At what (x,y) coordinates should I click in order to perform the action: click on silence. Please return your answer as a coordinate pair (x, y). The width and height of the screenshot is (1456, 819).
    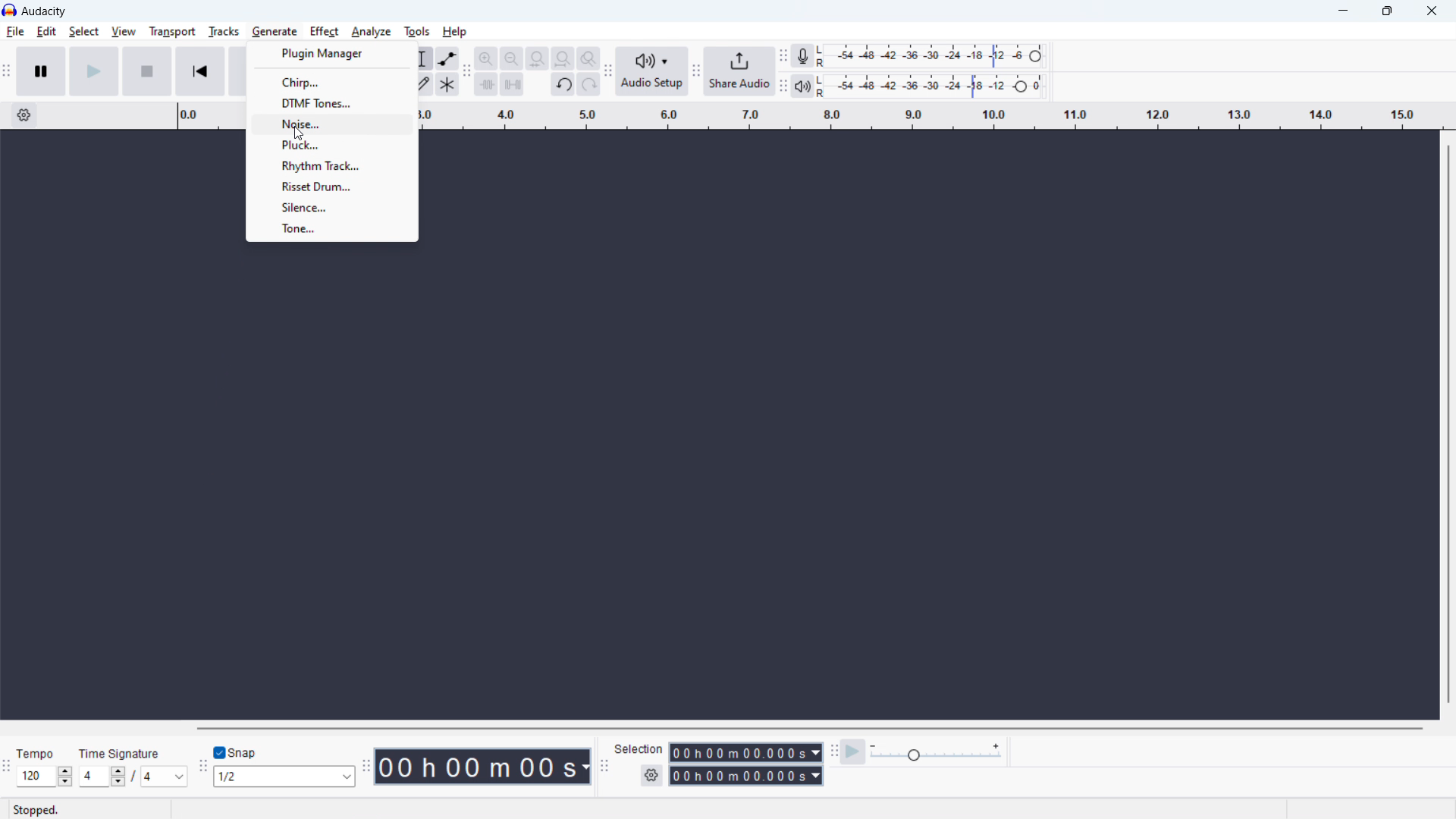
    Looking at the image, I should click on (332, 209).